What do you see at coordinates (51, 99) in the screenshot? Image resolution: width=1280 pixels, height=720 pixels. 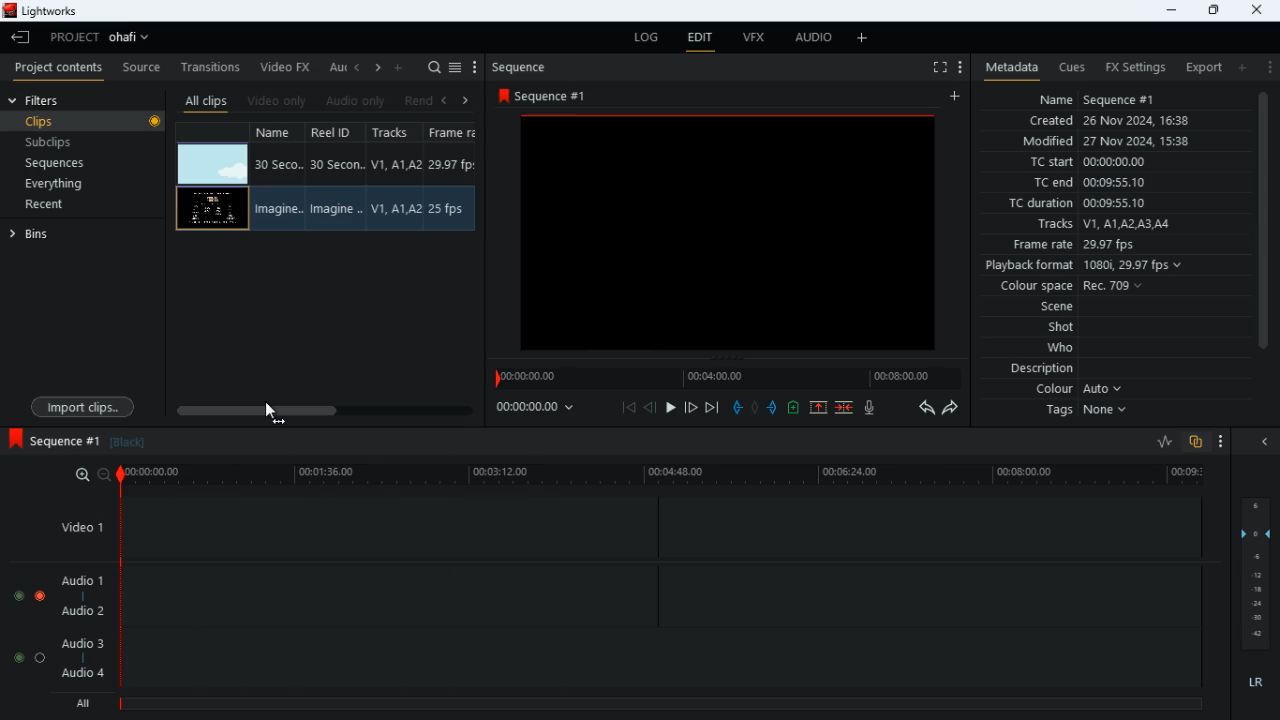 I see `filters` at bounding box center [51, 99].